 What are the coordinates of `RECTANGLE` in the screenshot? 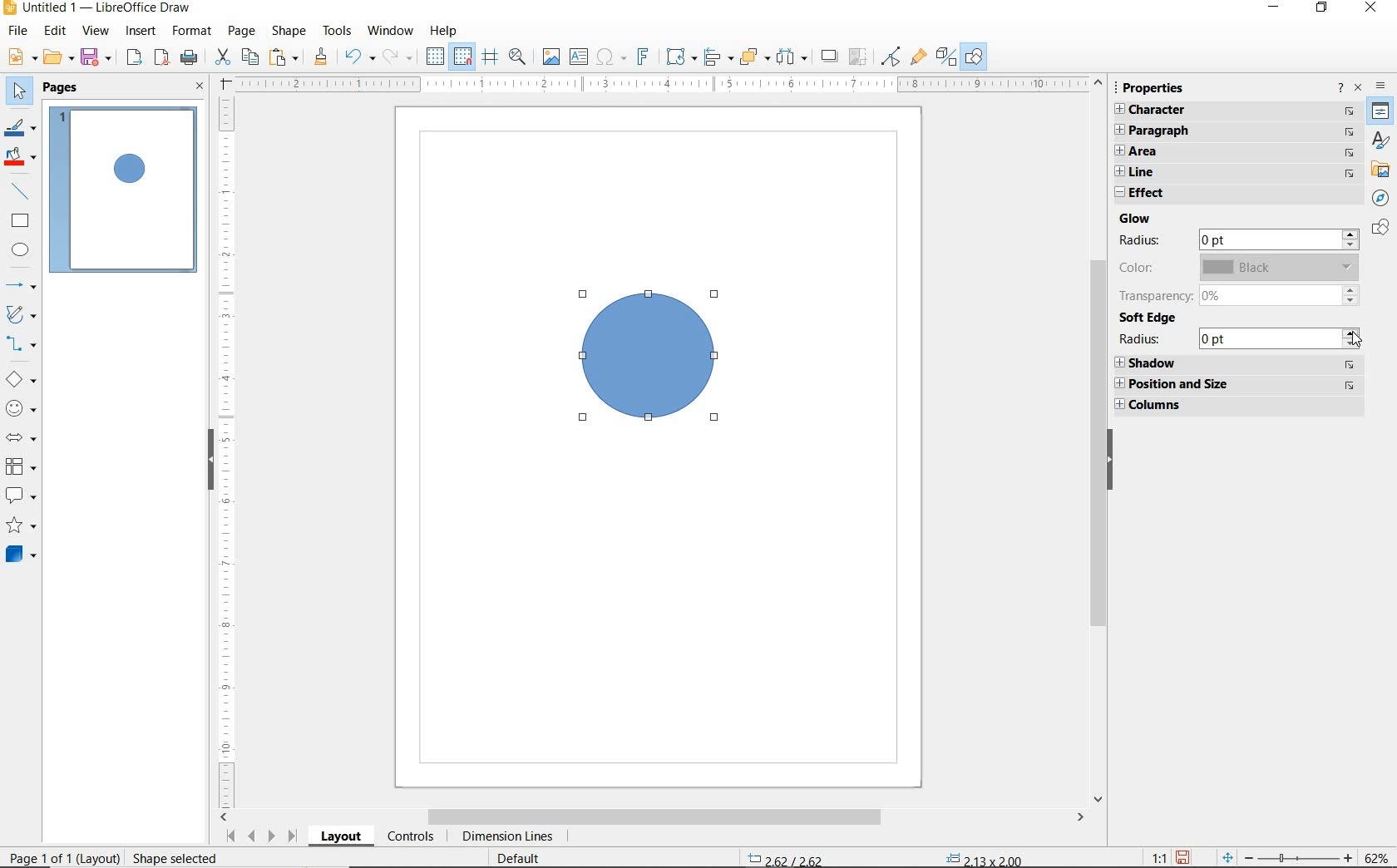 It's located at (22, 222).